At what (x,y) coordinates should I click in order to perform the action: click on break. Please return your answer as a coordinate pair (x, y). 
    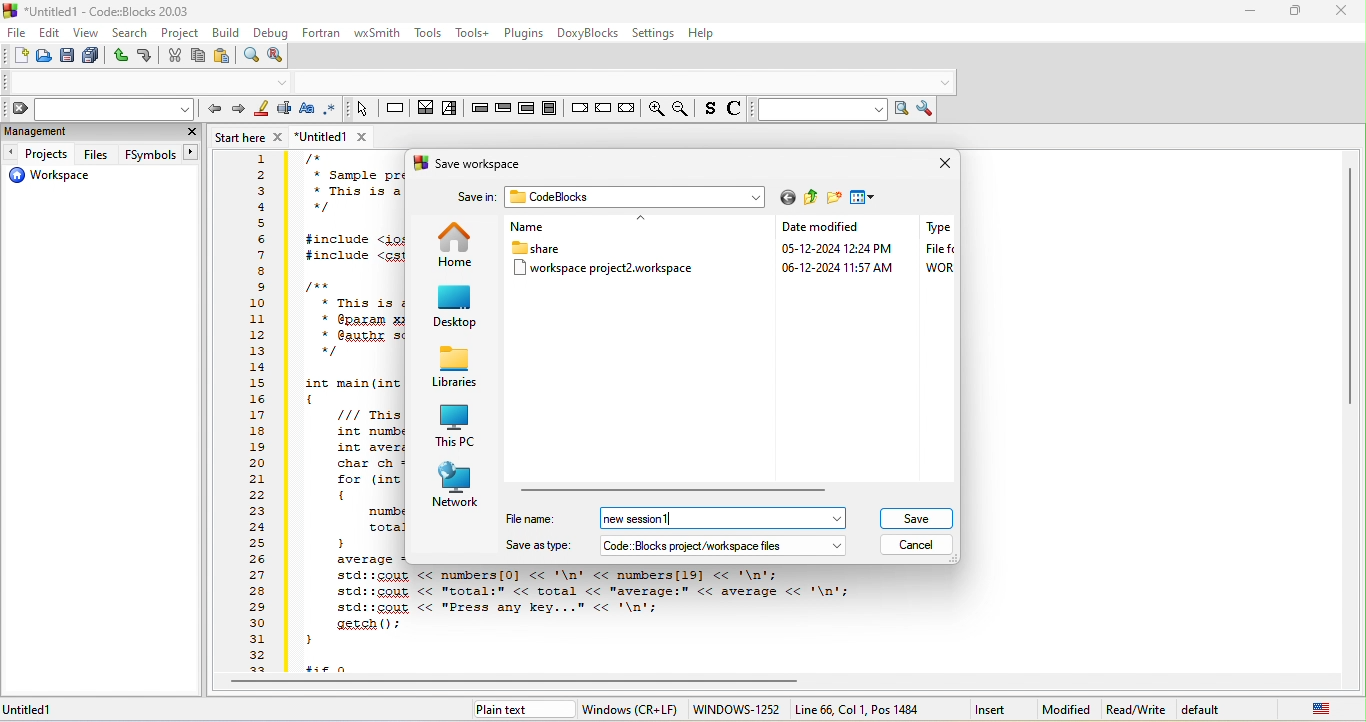
    Looking at the image, I should click on (578, 106).